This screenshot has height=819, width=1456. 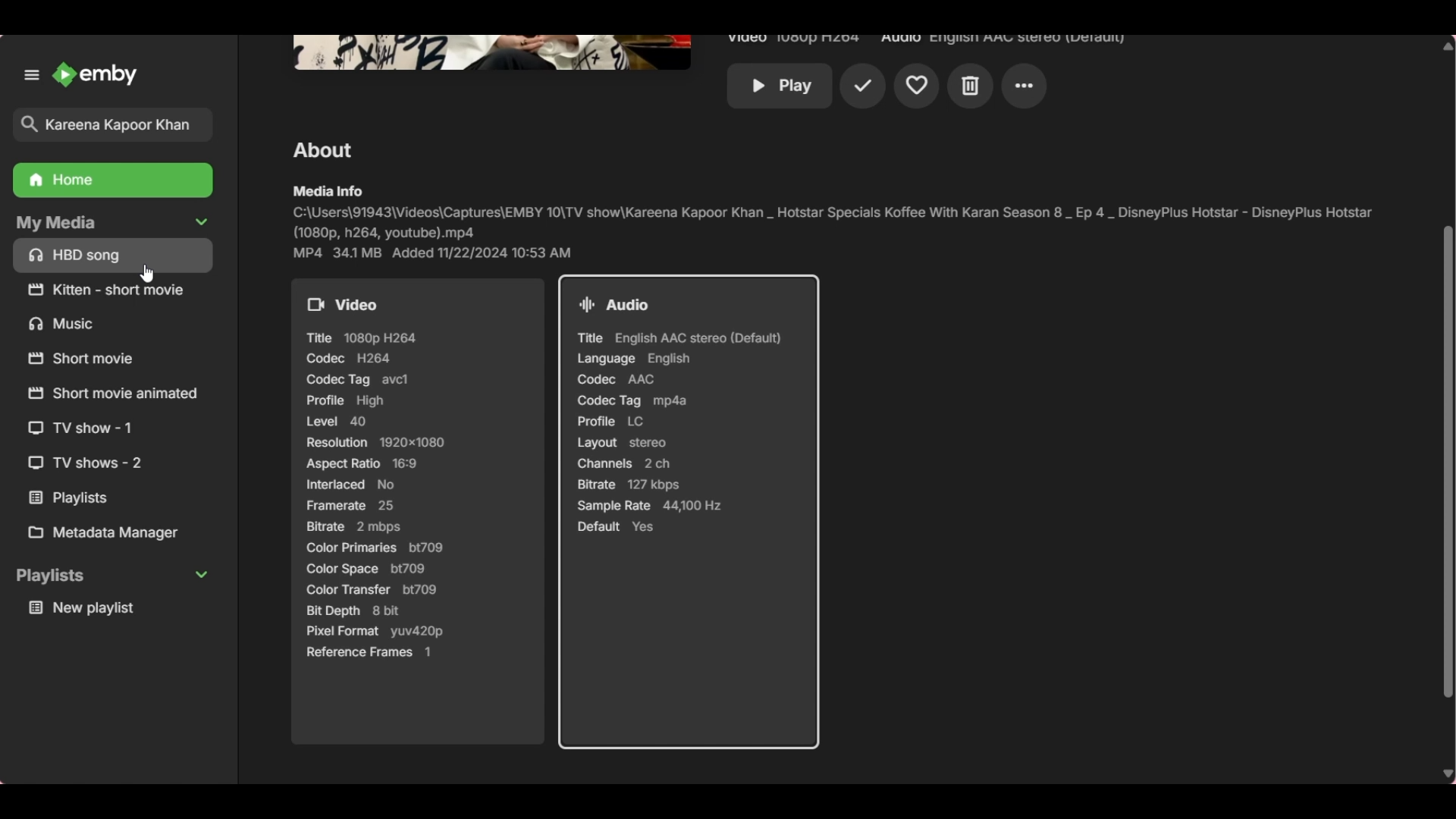 I want to click on , so click(x=112, y=394).